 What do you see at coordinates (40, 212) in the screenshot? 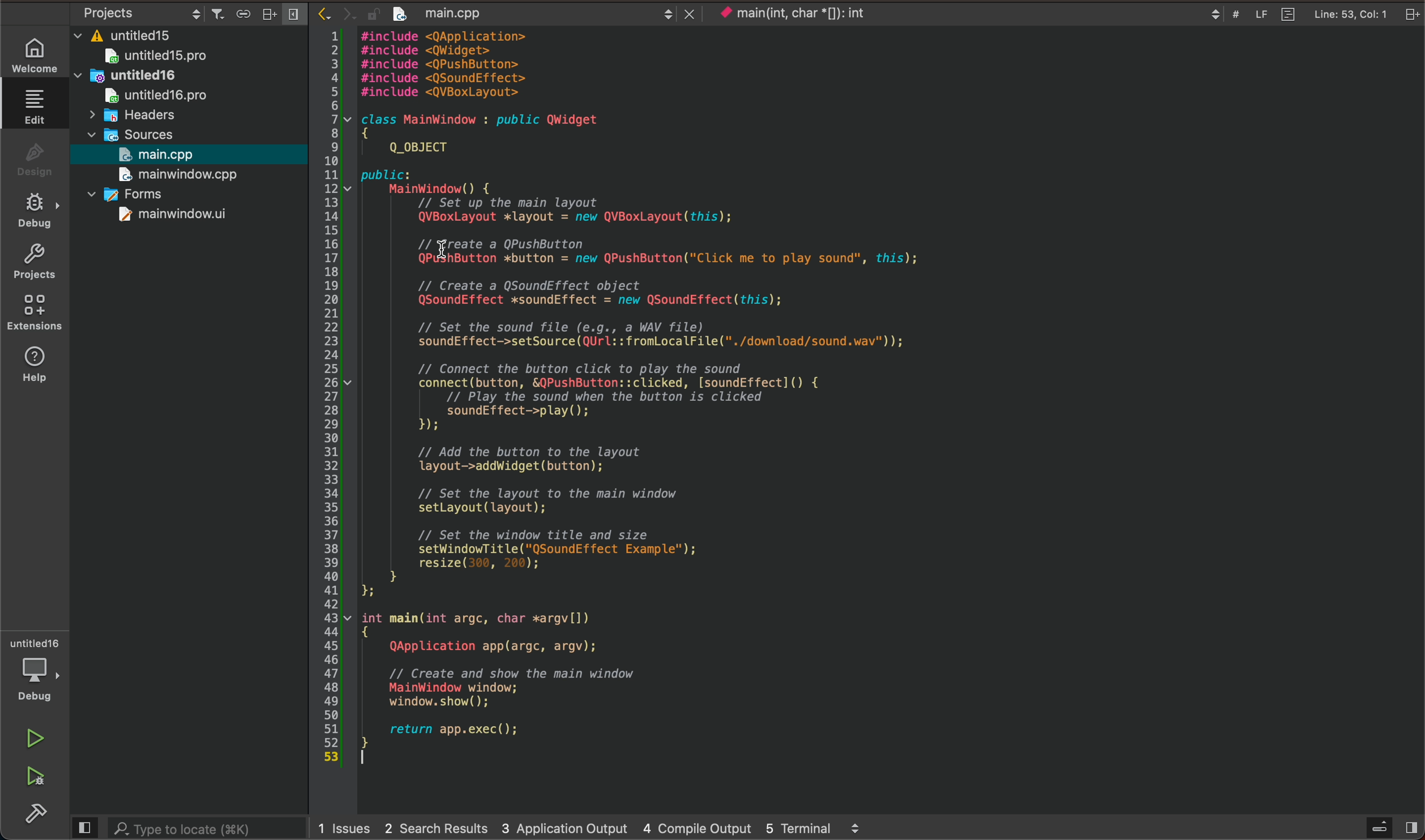
I see `debug` at bounding box center [40, 212].